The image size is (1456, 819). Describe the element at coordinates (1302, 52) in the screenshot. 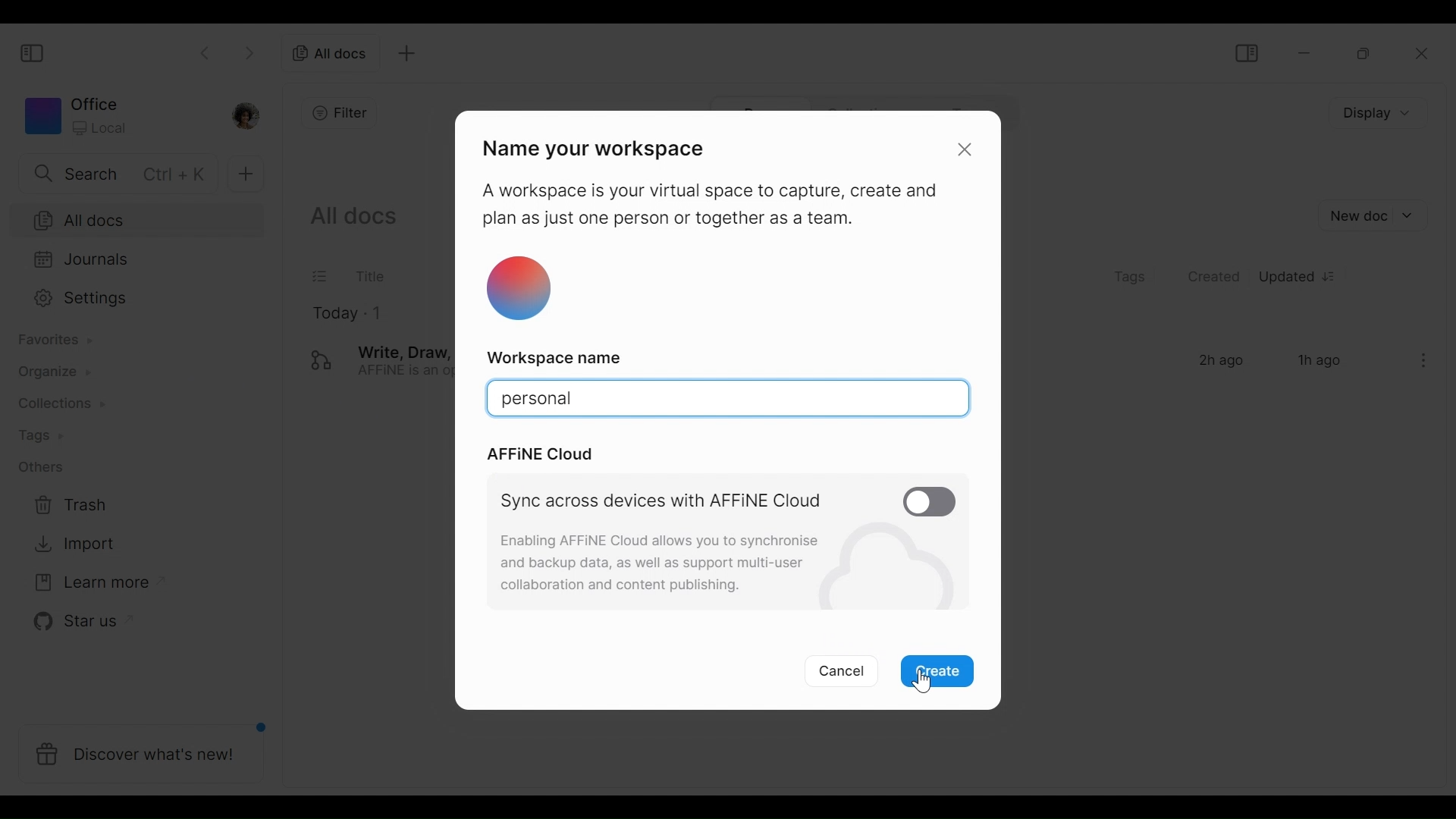

I see `minimize` at that location.